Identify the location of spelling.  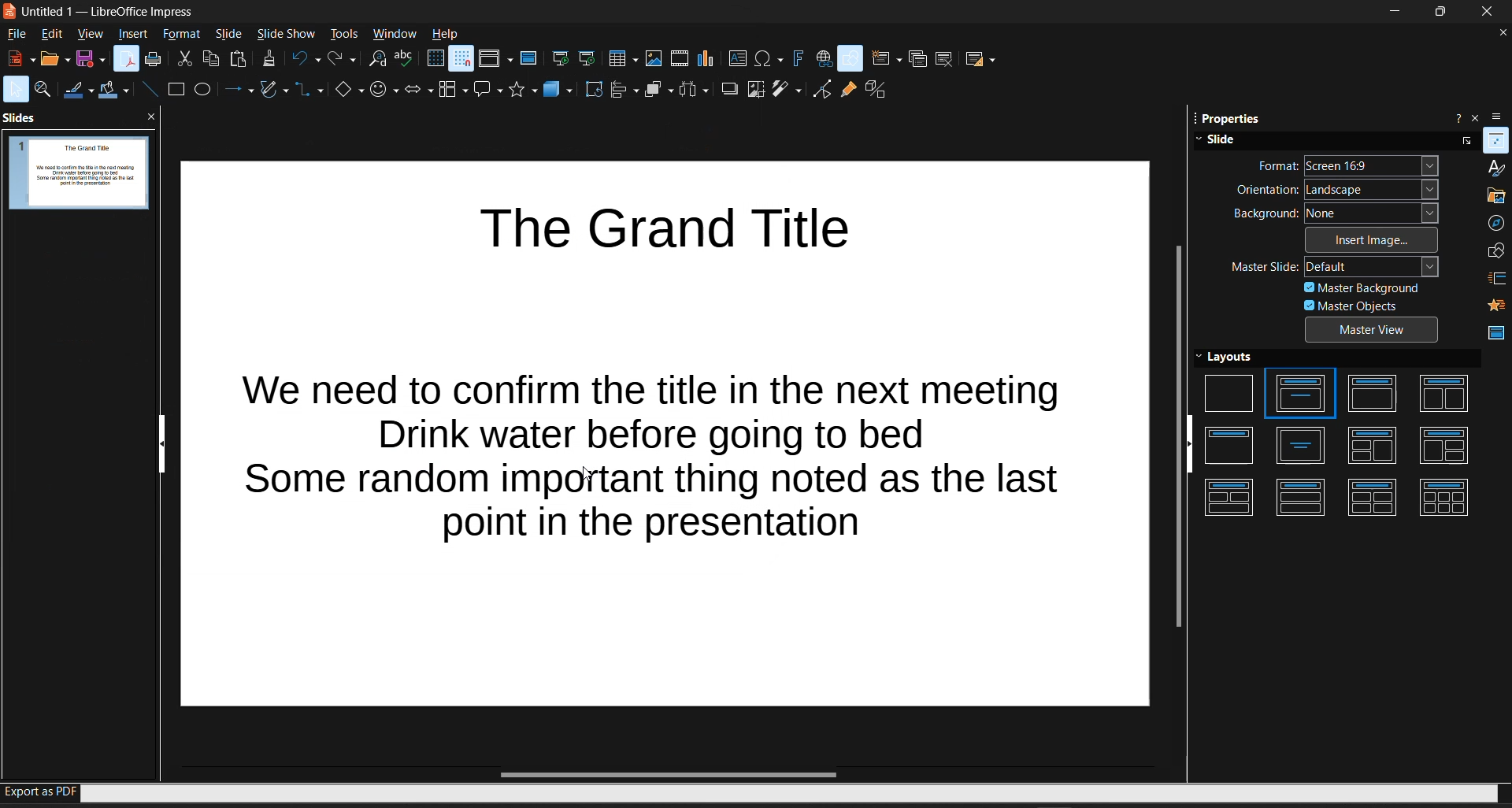
(406, 58).